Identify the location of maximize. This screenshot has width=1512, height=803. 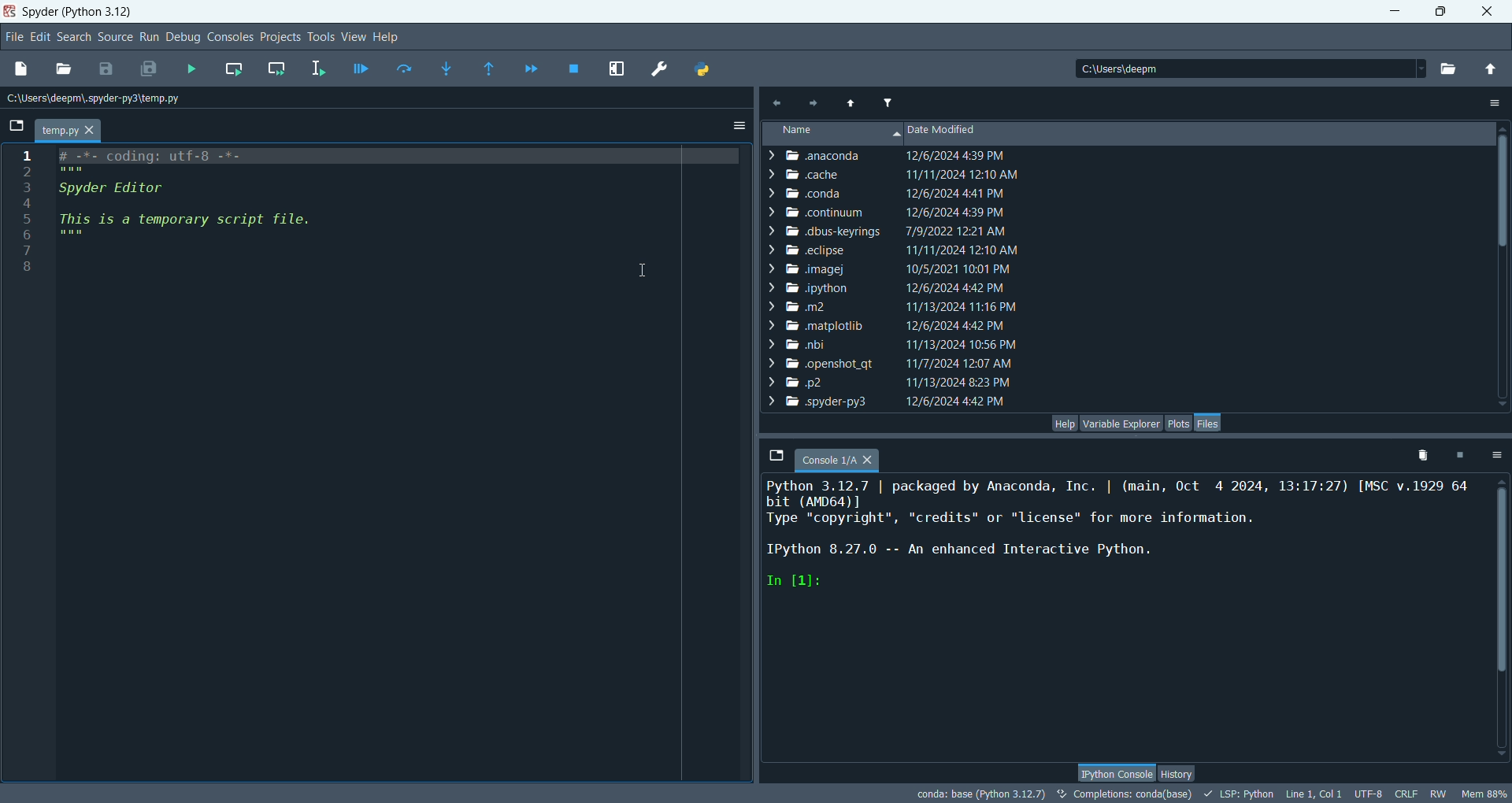
(1440, 10).